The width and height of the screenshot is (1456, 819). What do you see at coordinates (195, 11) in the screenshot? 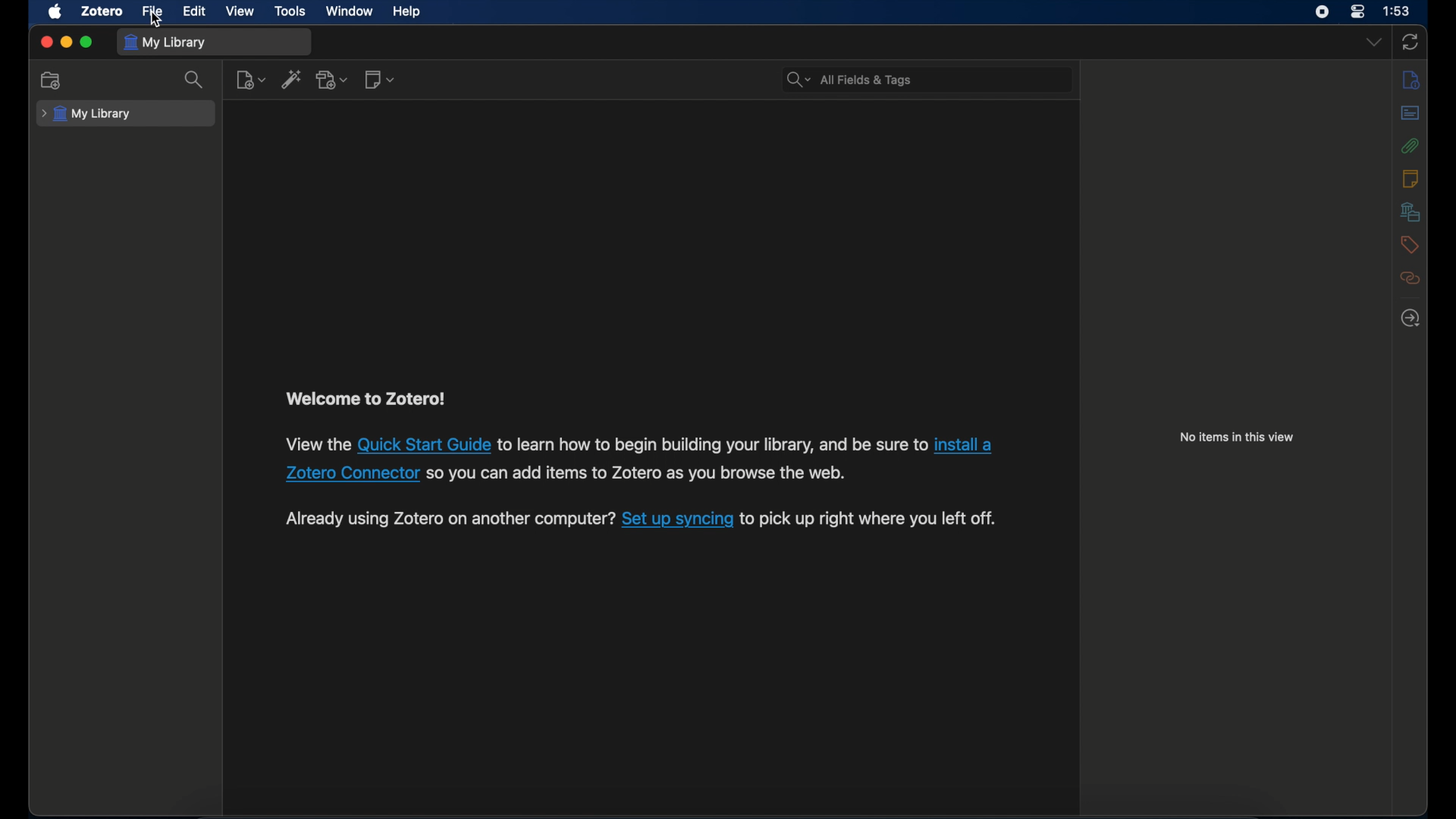
I see `edit` at bounding box center [195, 11].